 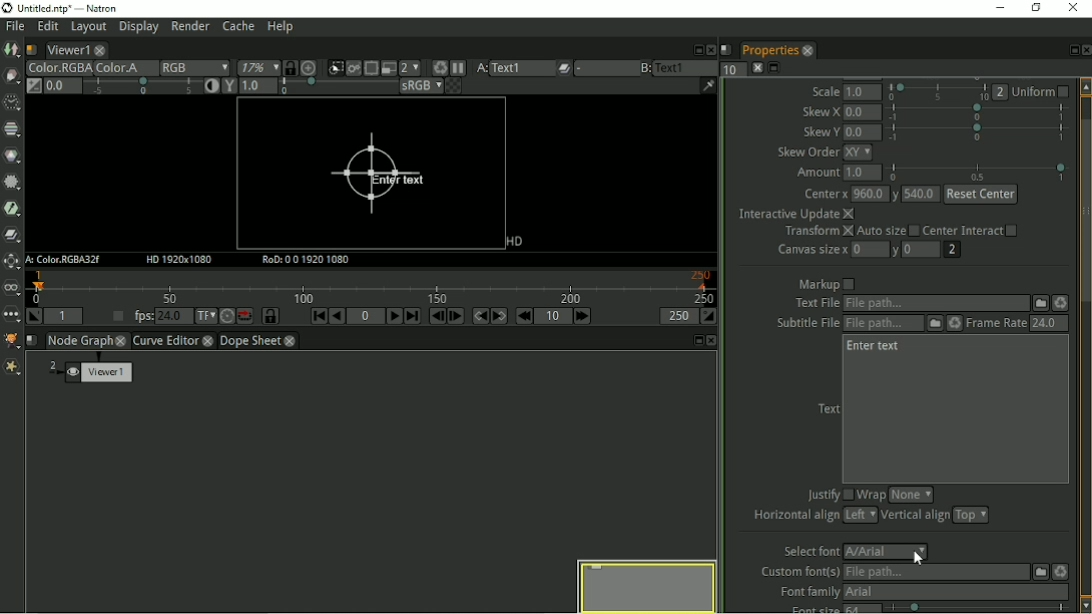 What do you see at coordinates (808, 153) in the screenshot?
I see `skew Order` at bounding box center [808, 153].